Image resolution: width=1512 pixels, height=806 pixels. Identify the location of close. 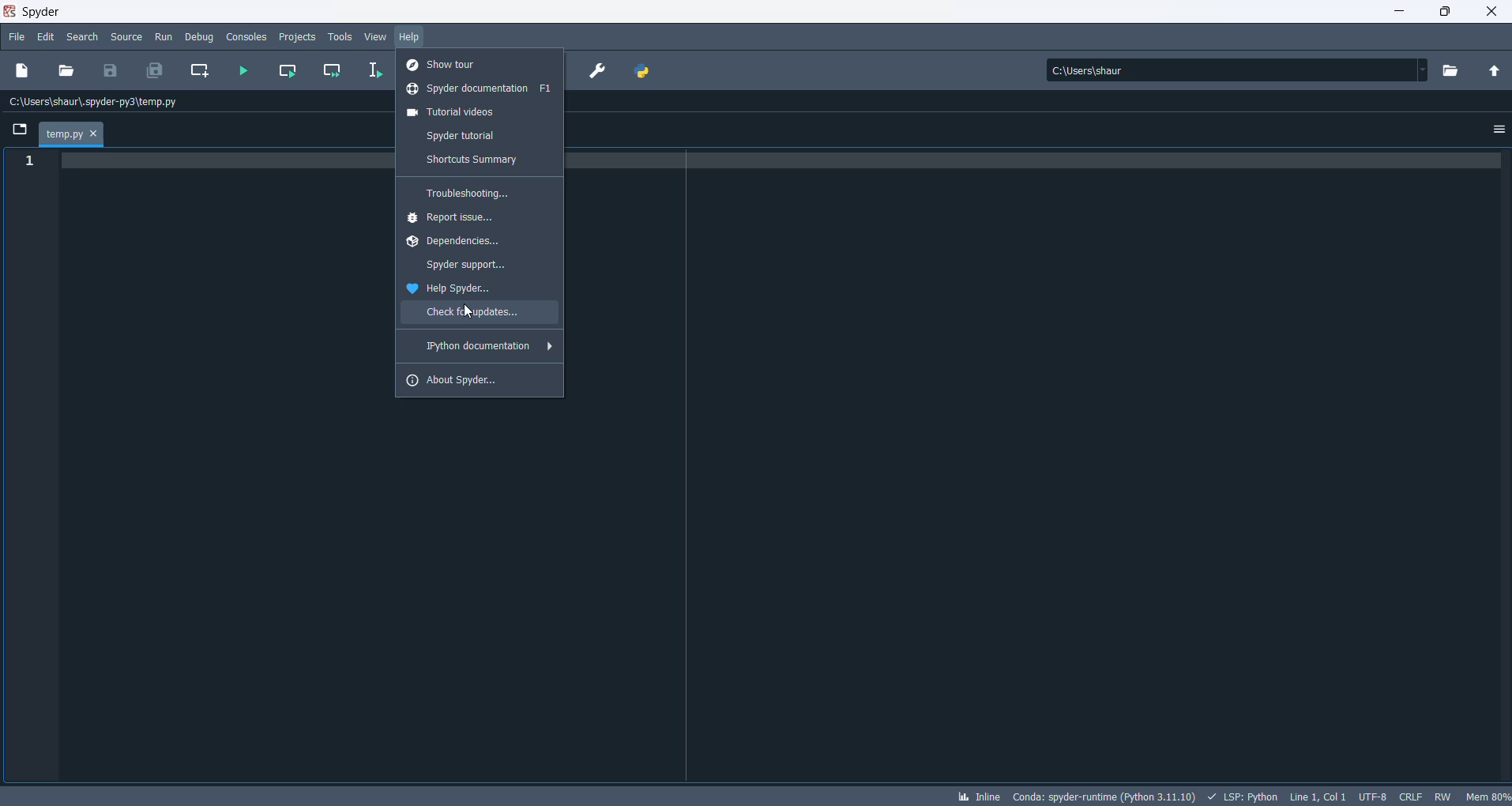
(1491, 13).